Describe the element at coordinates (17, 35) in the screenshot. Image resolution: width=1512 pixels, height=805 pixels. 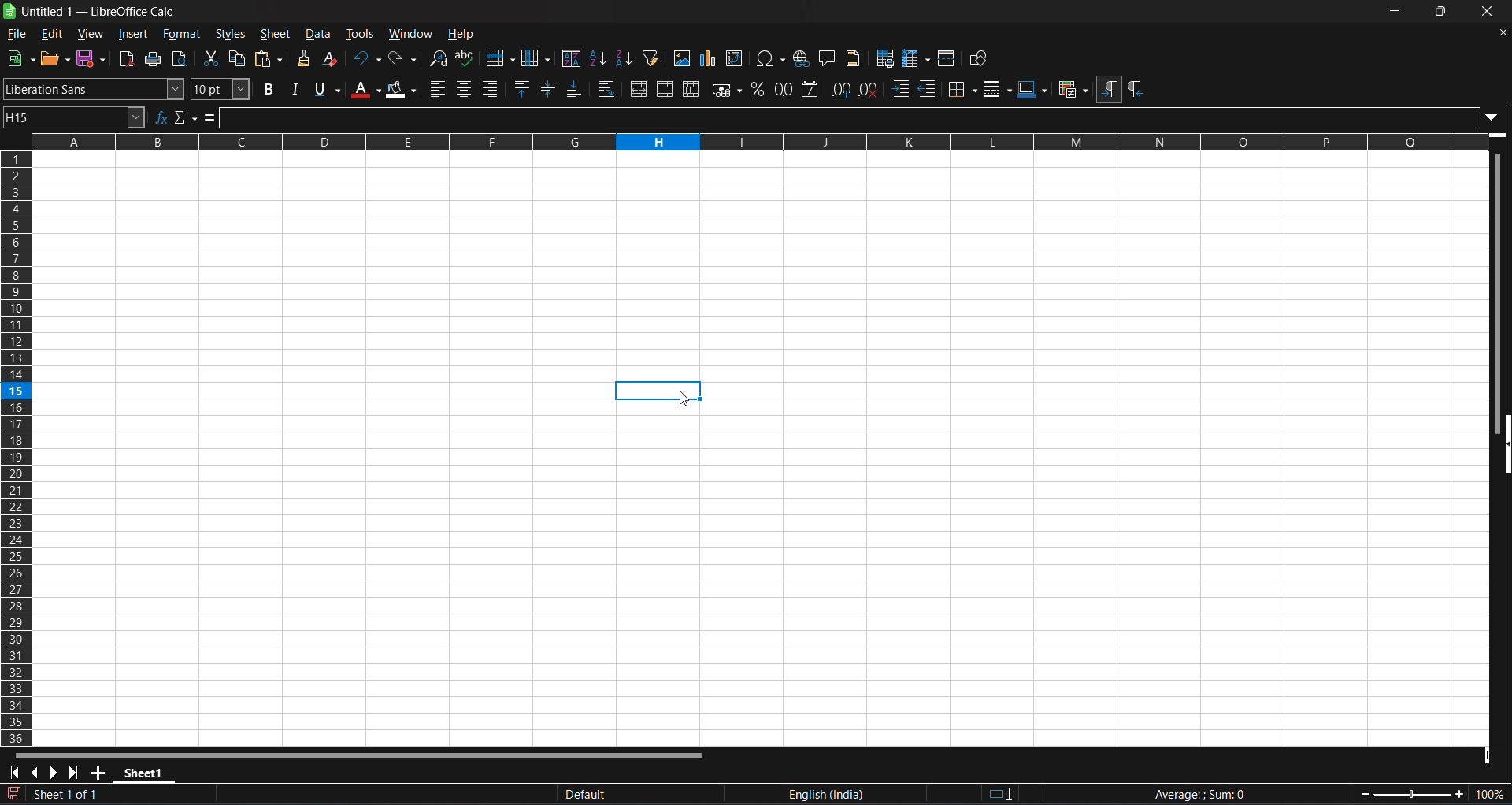
I see `file` at that location.